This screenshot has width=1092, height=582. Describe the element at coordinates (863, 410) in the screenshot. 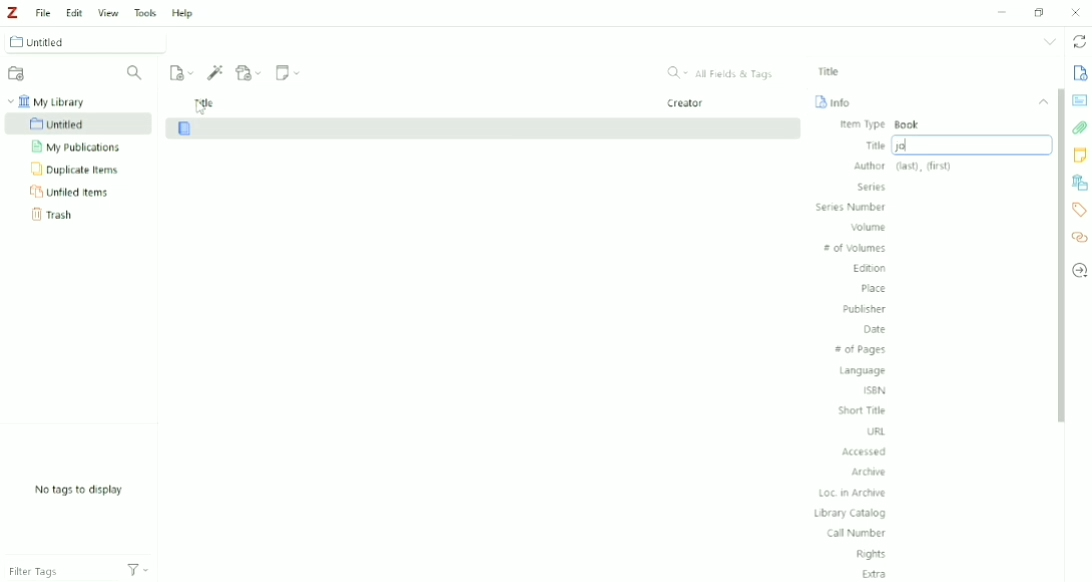

I see `Short Title` at that location.